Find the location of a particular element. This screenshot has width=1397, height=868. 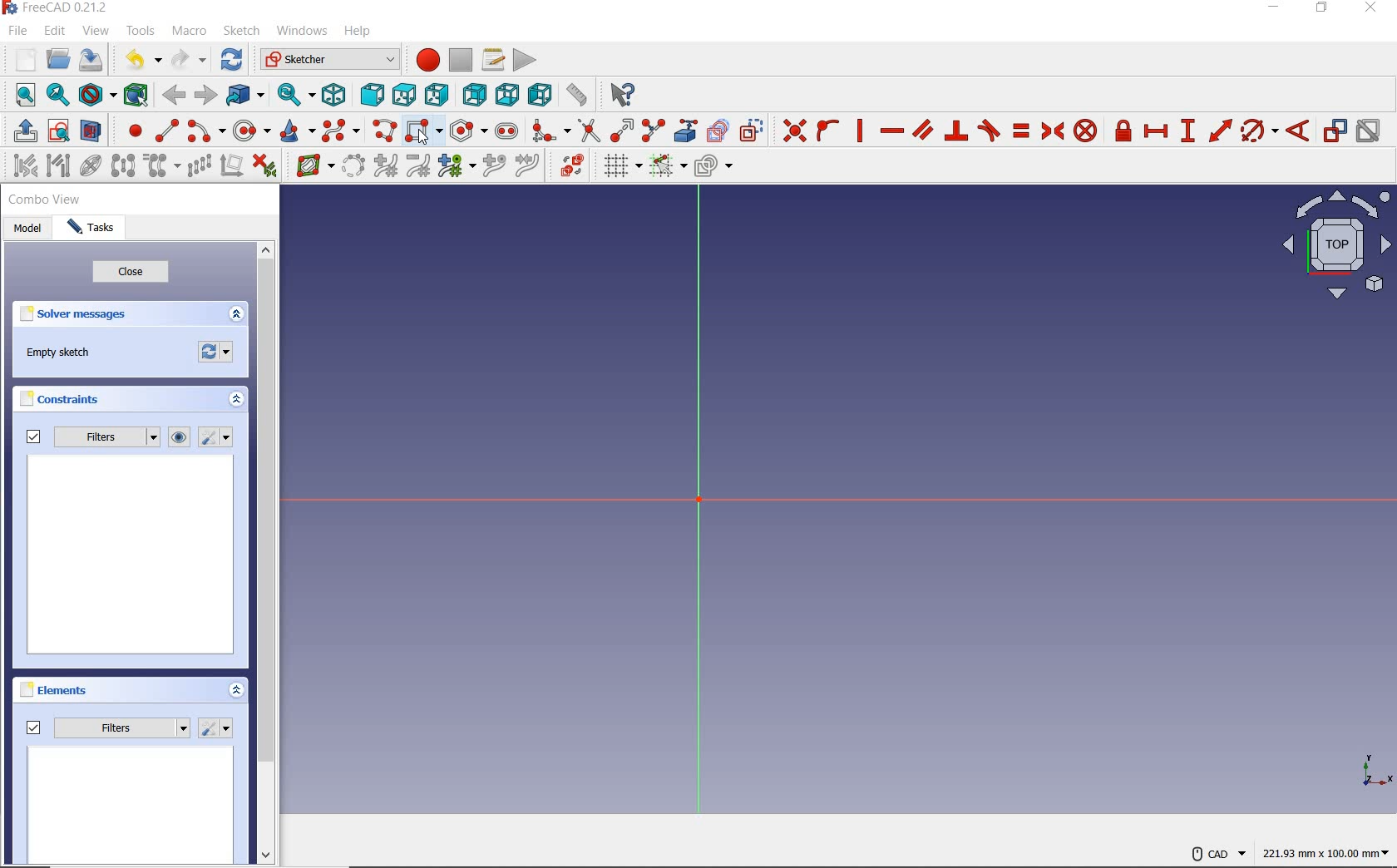

show/hide b-splineinformation layer is located at coordinates (309, 169).